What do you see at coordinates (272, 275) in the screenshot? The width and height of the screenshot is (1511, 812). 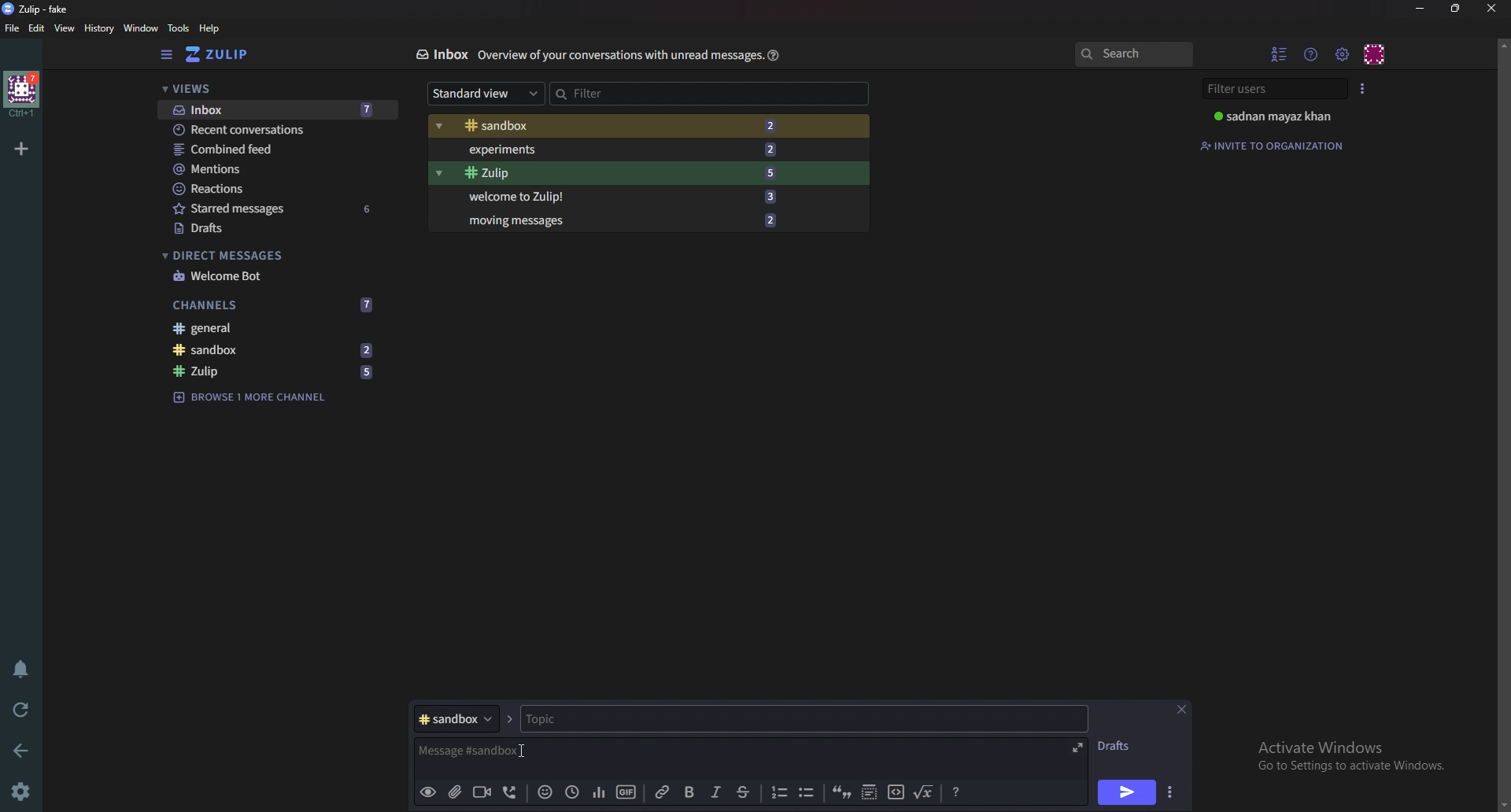 I see `welcome bot` at bounding box center [272, 275].